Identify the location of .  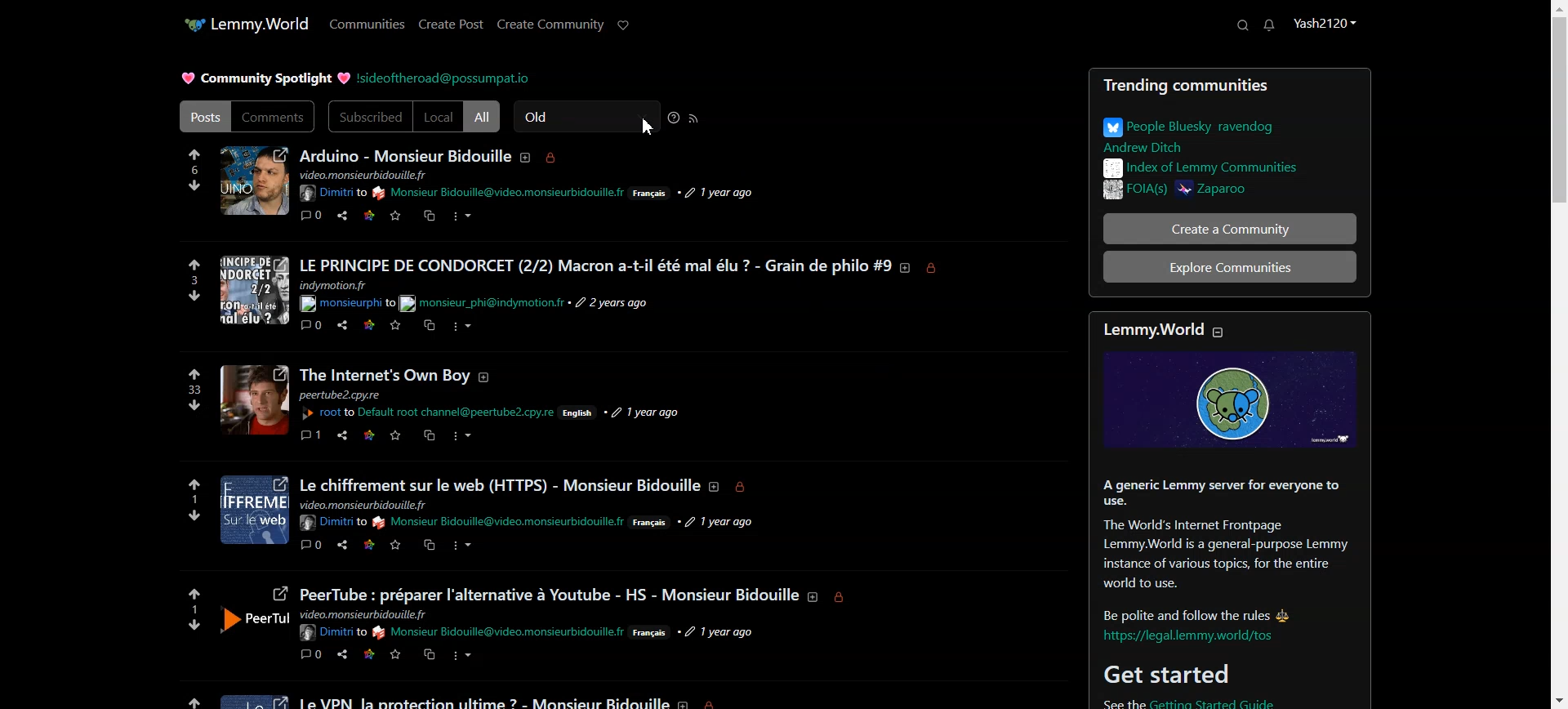
(577, 413).